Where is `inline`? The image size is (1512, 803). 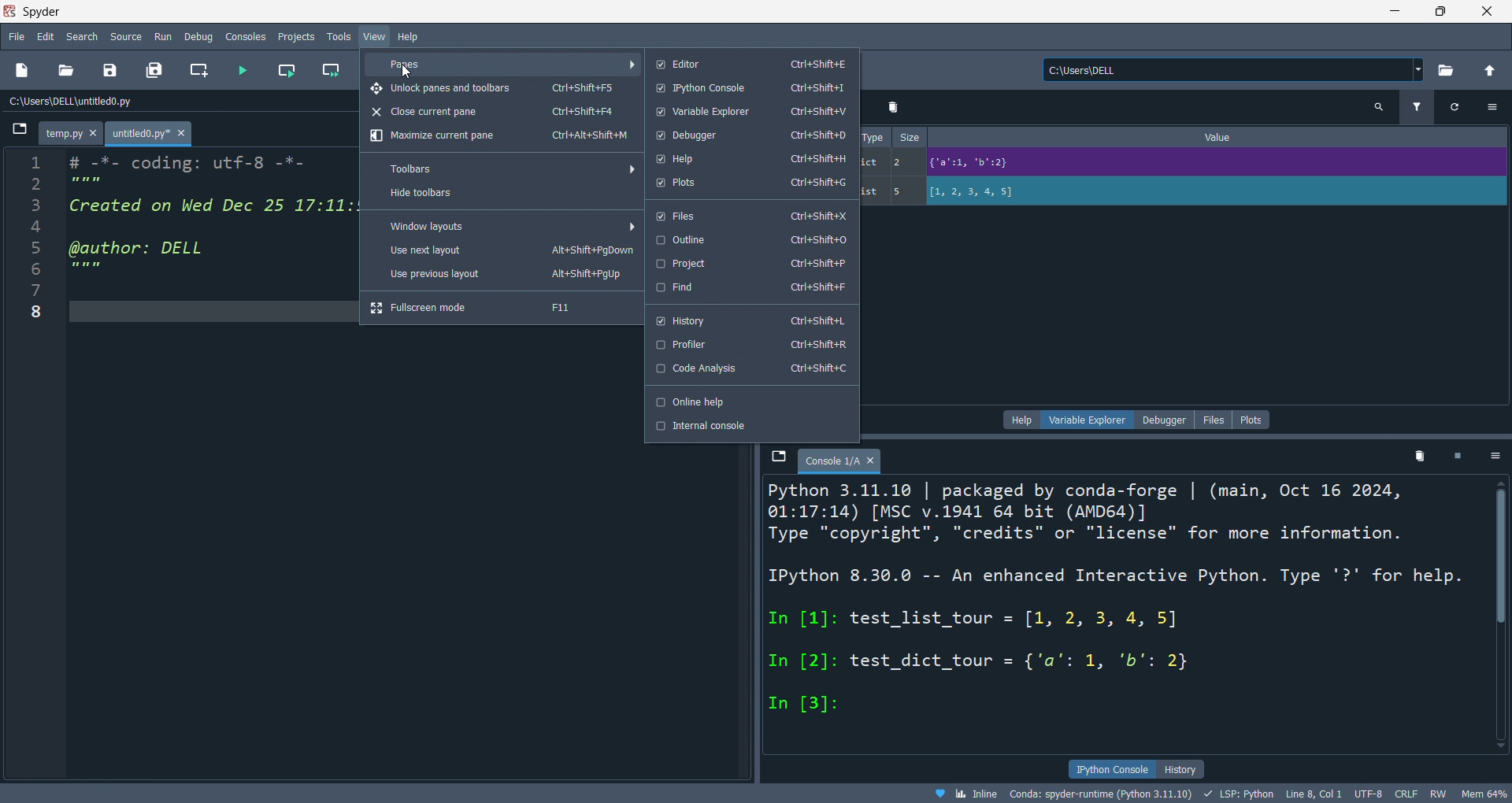 inline is located at coordinates (965, 794).